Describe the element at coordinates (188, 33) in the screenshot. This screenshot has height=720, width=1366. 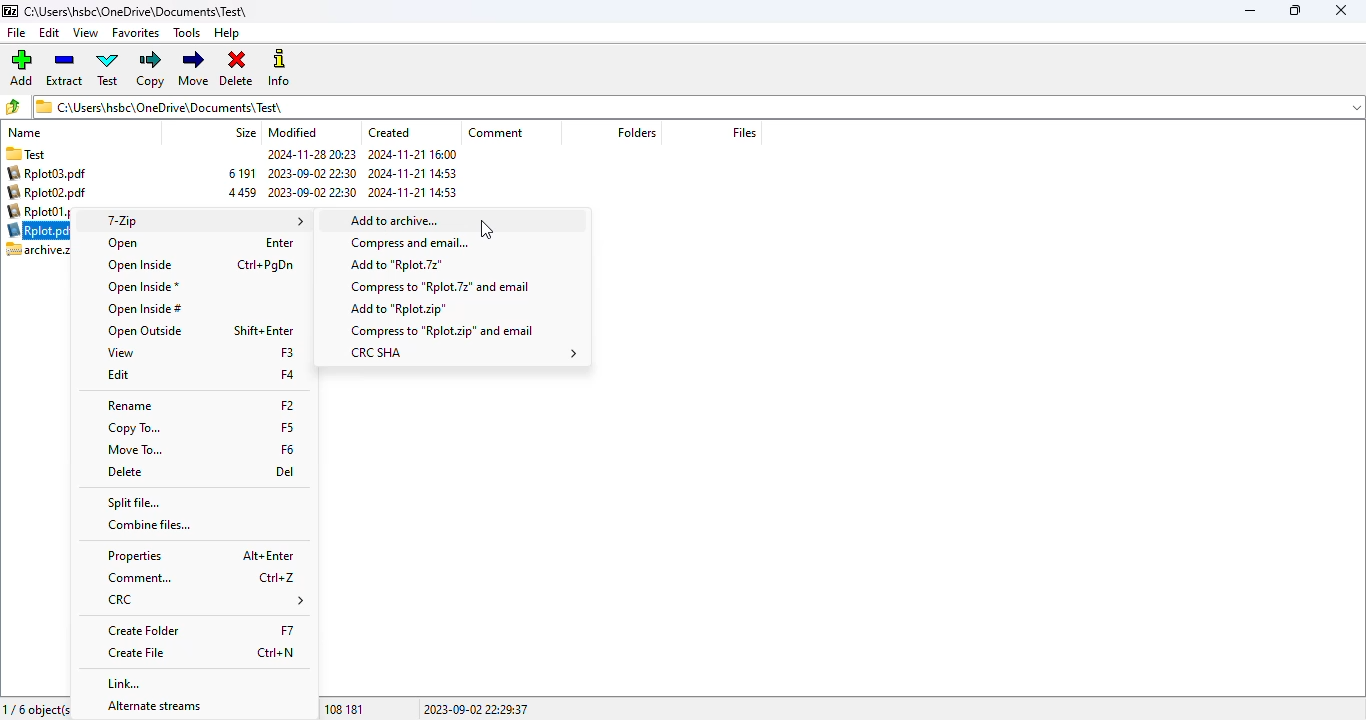
I see `tools` at that location.